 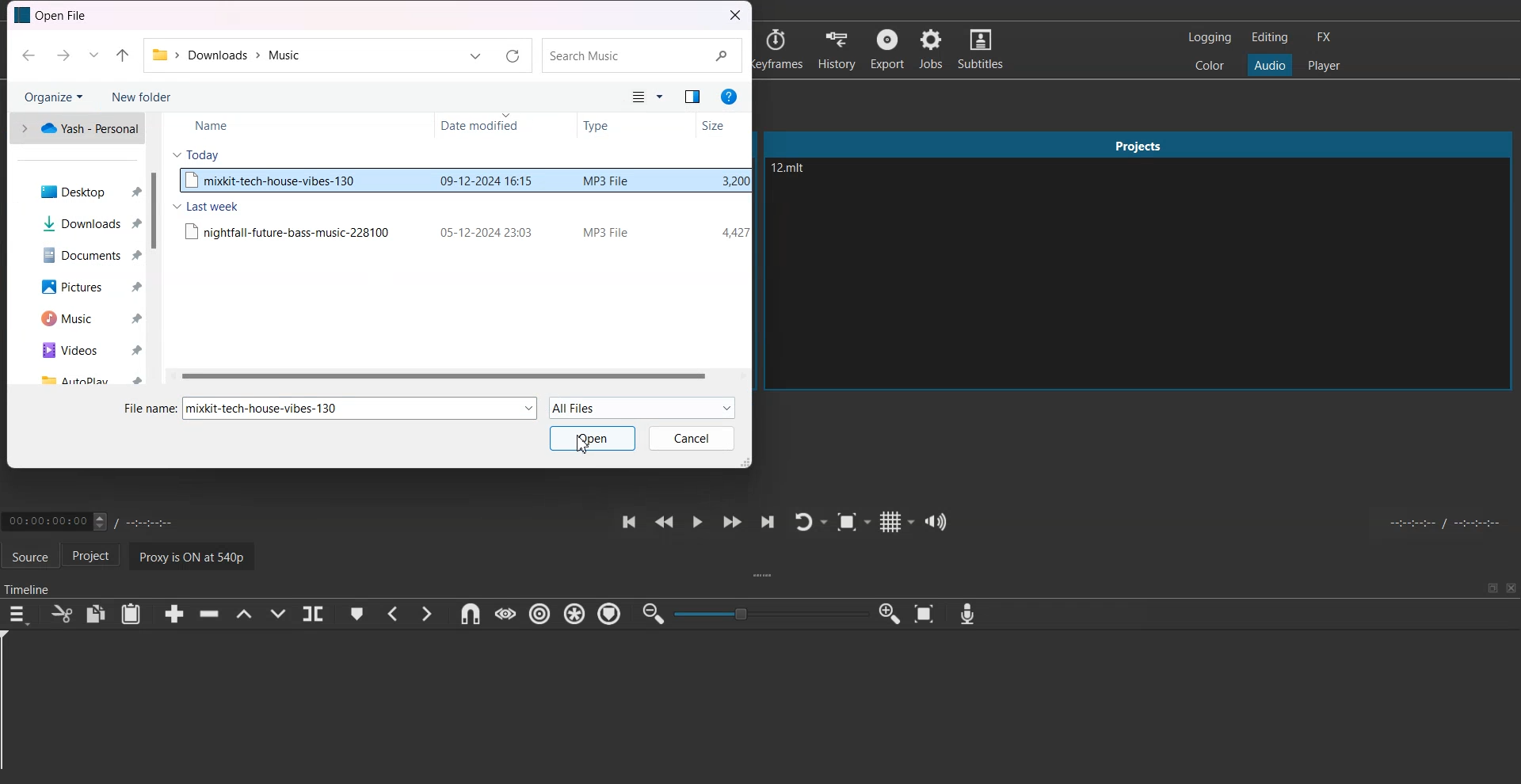 I want to click on Last Week, so click(x=205, y=206).